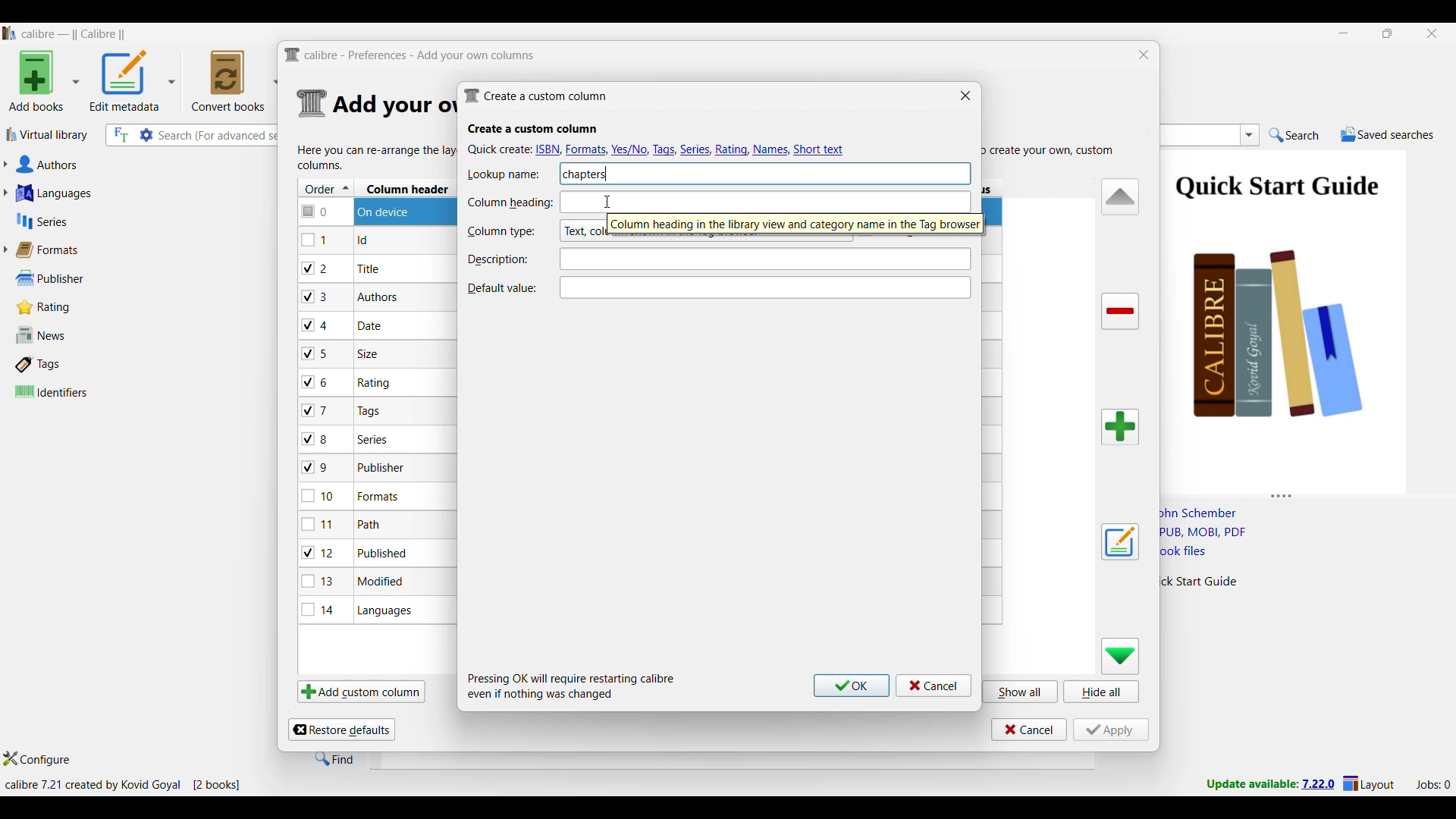 The width and height of the screenshot is (1456, 819). Describe the element at coordinates (1344, 33) in the screenshot. I see `Minimize` at that location.